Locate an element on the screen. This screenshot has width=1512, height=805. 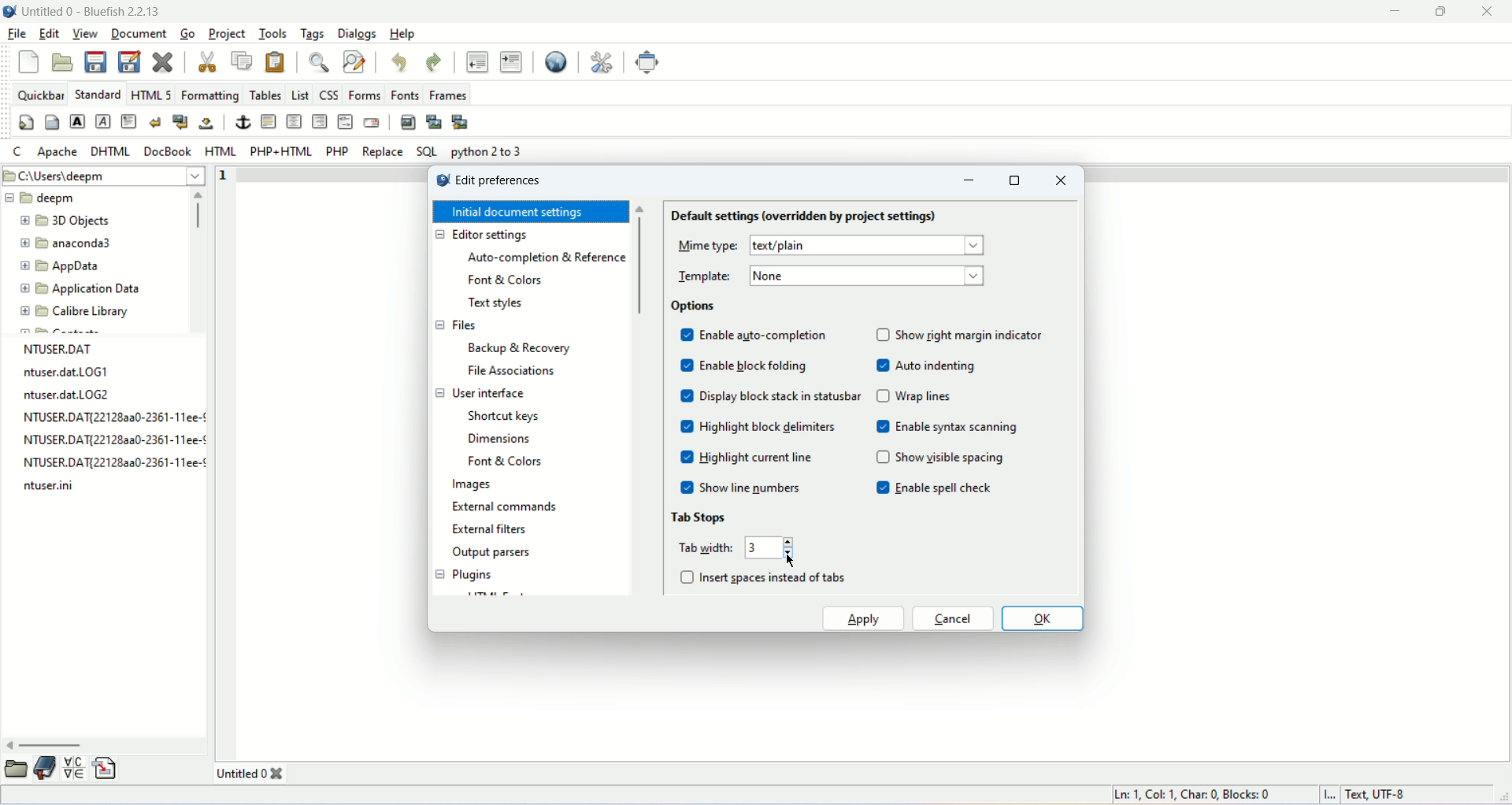
help is located at coordinates (404, 33).